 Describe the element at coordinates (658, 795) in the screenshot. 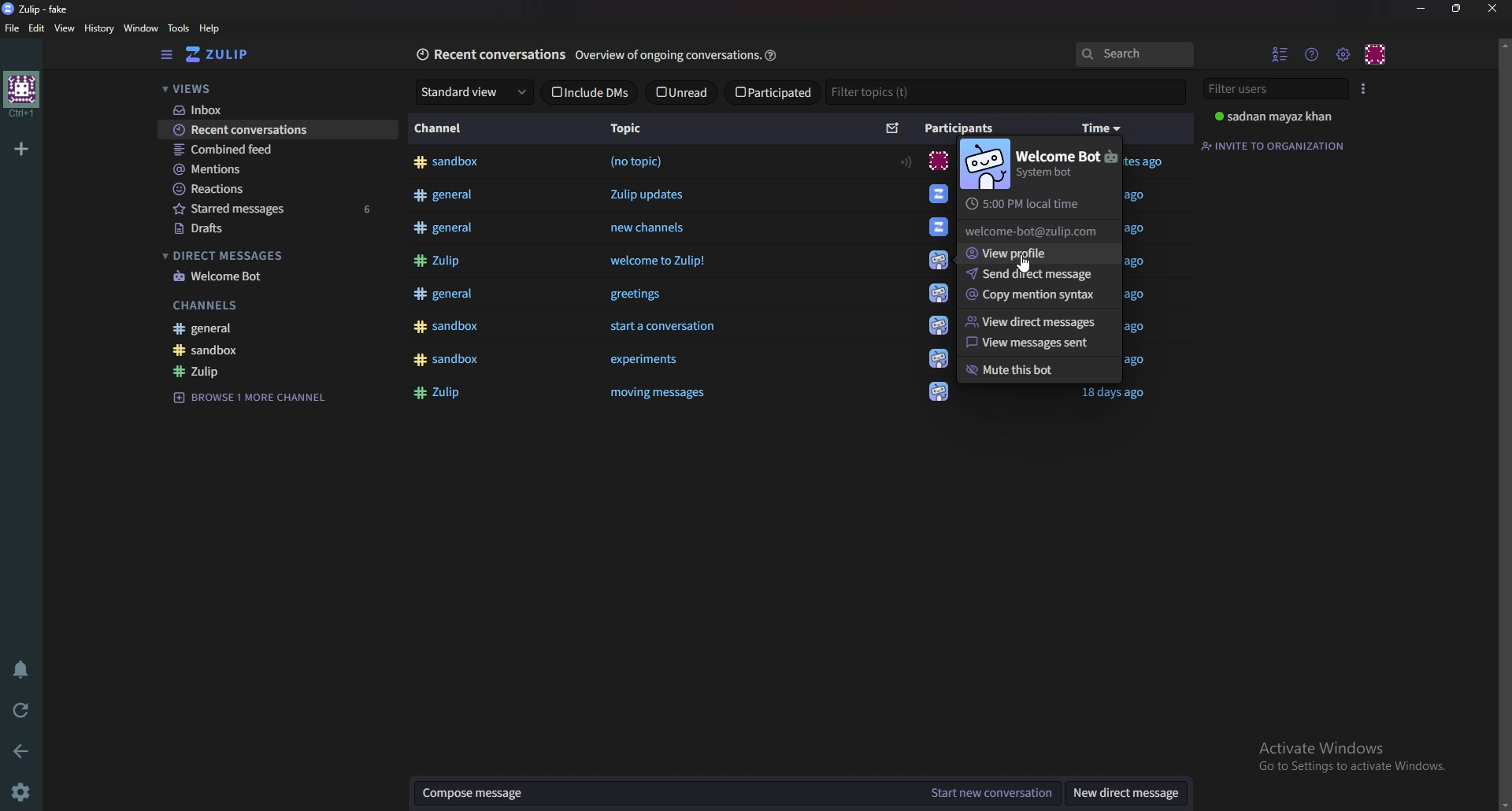

I see `Compose message` at that location.